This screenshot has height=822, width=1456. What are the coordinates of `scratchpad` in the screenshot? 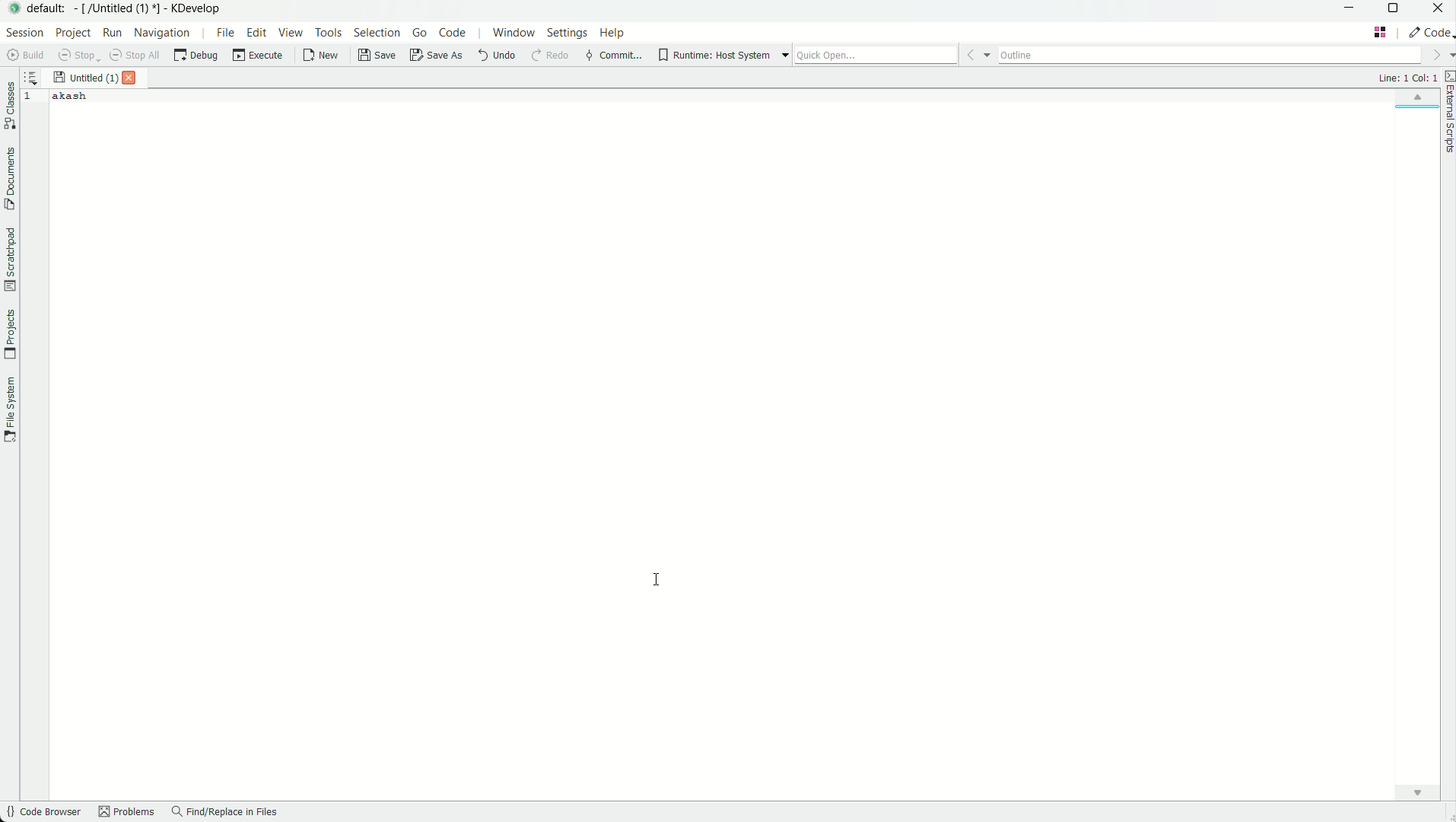 It's located at (9, 259).